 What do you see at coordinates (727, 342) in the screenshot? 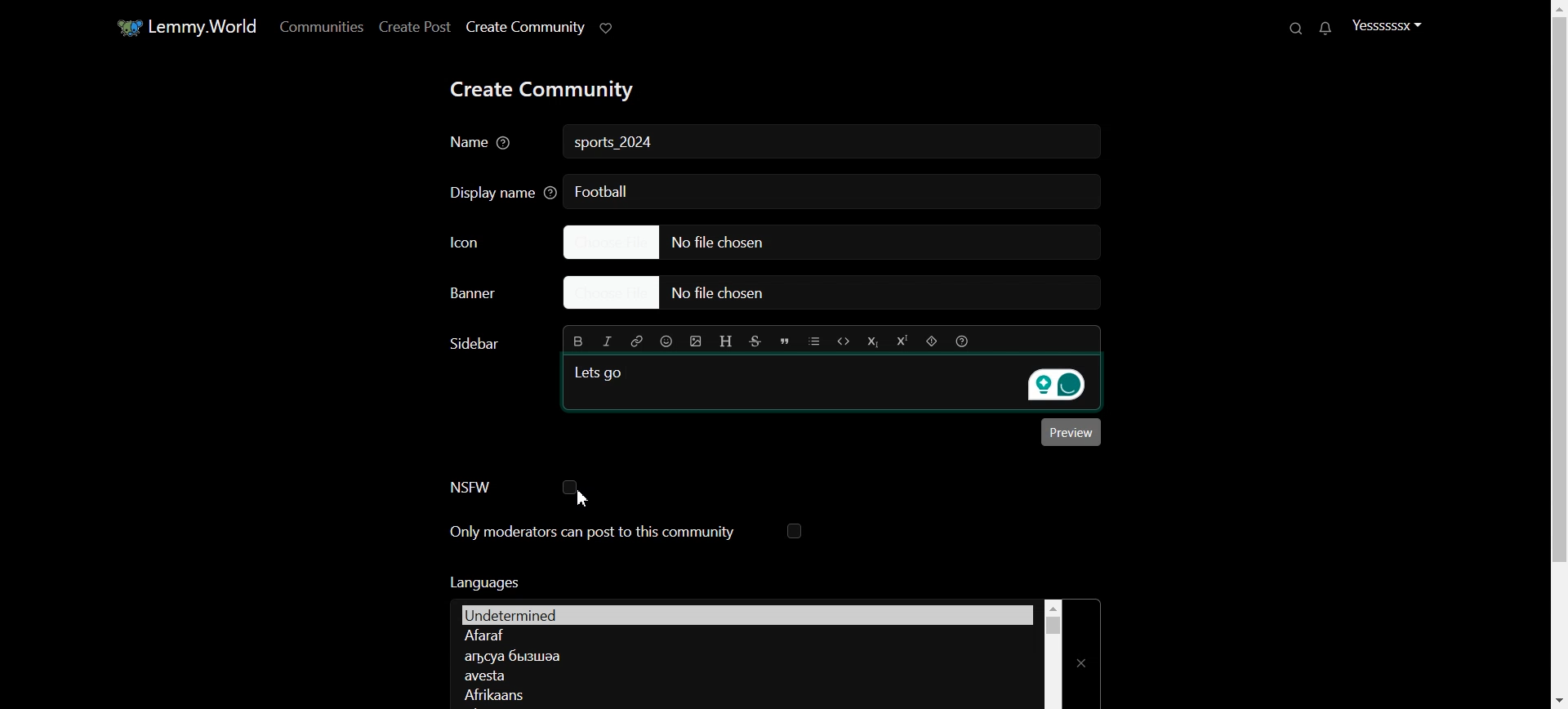
I see `Header` at bounding box center [727, 342].